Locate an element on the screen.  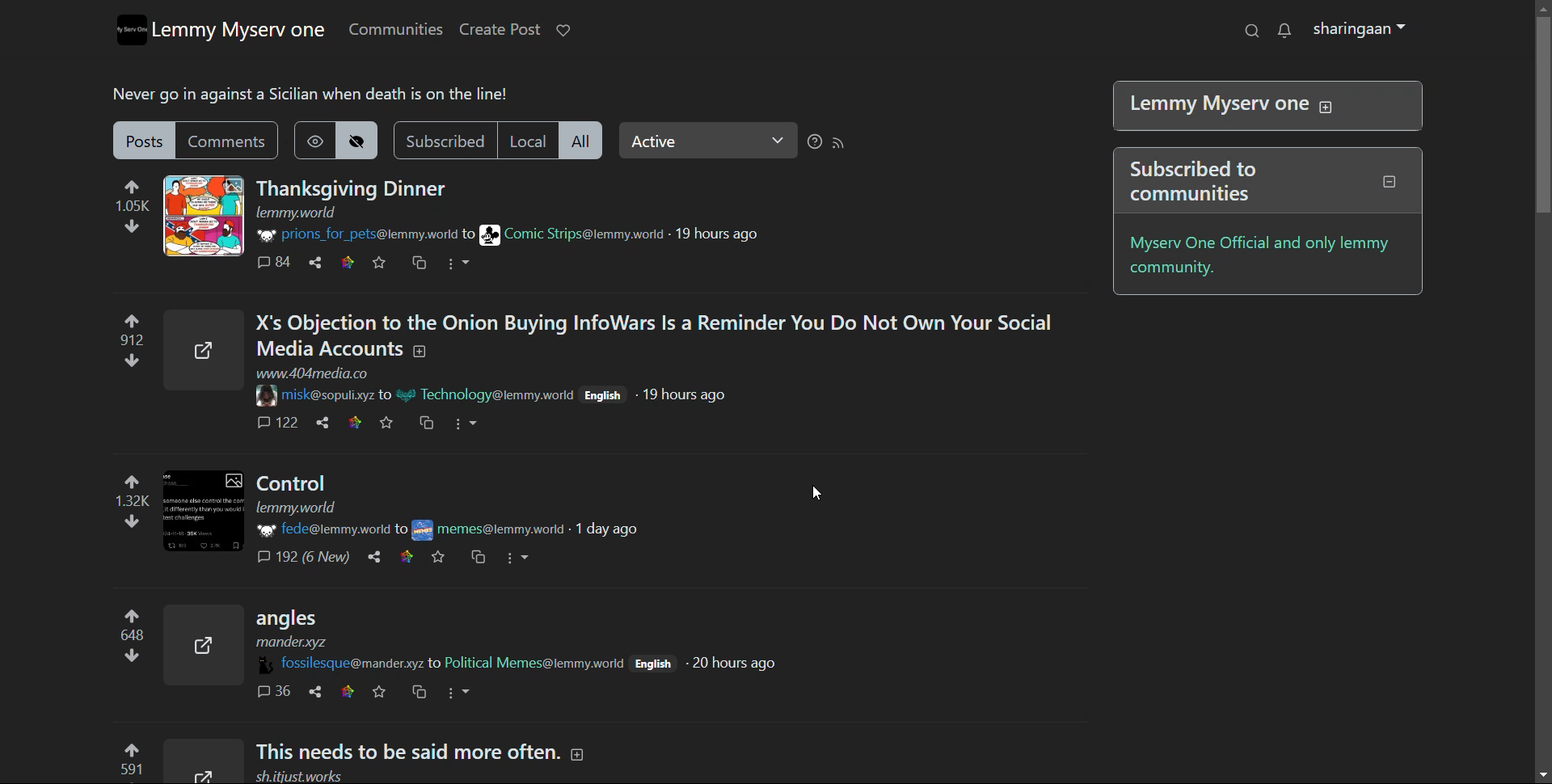
comments is located at coordinates (269, 425).